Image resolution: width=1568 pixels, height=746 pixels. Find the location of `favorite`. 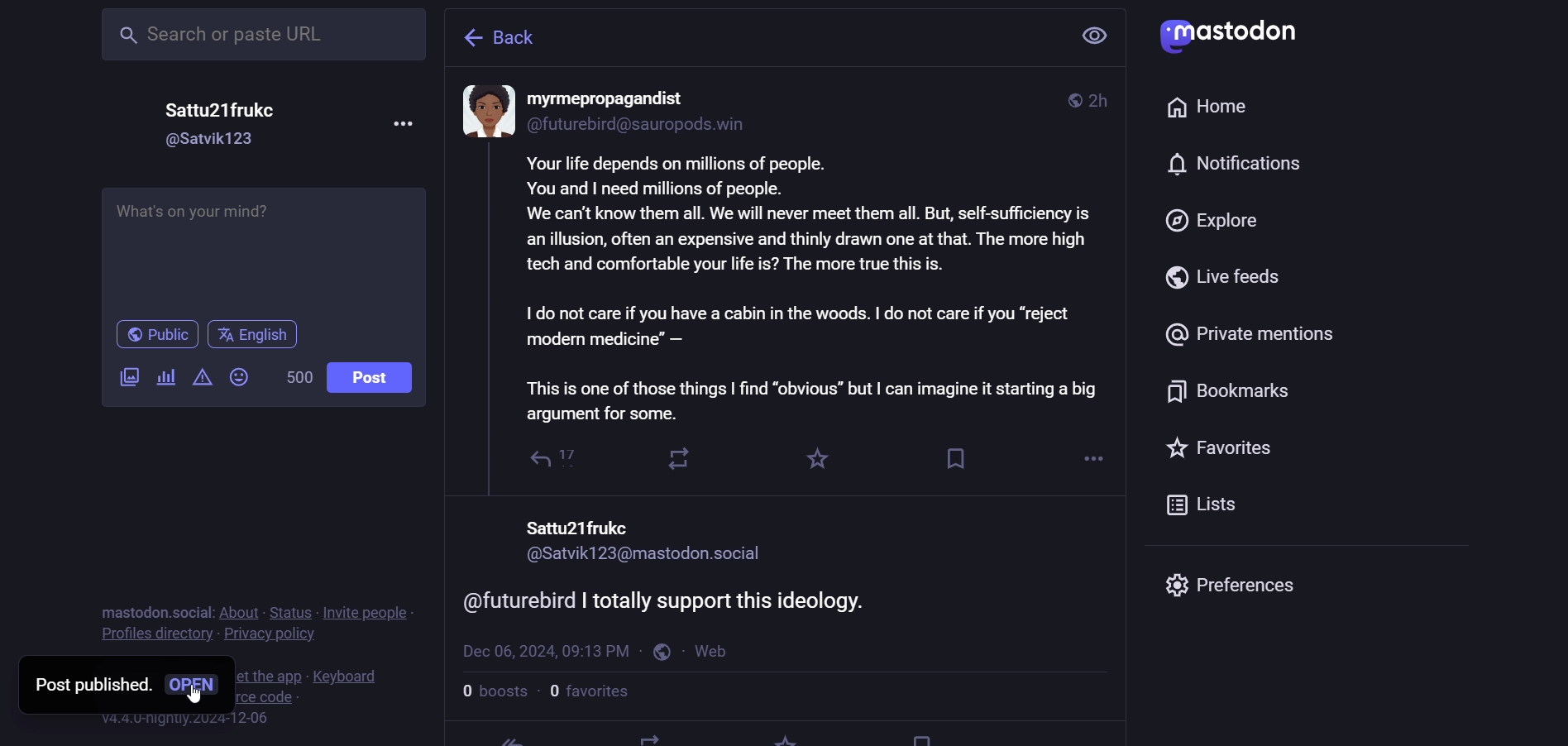

favorite is located at coordinates (1221, 450).